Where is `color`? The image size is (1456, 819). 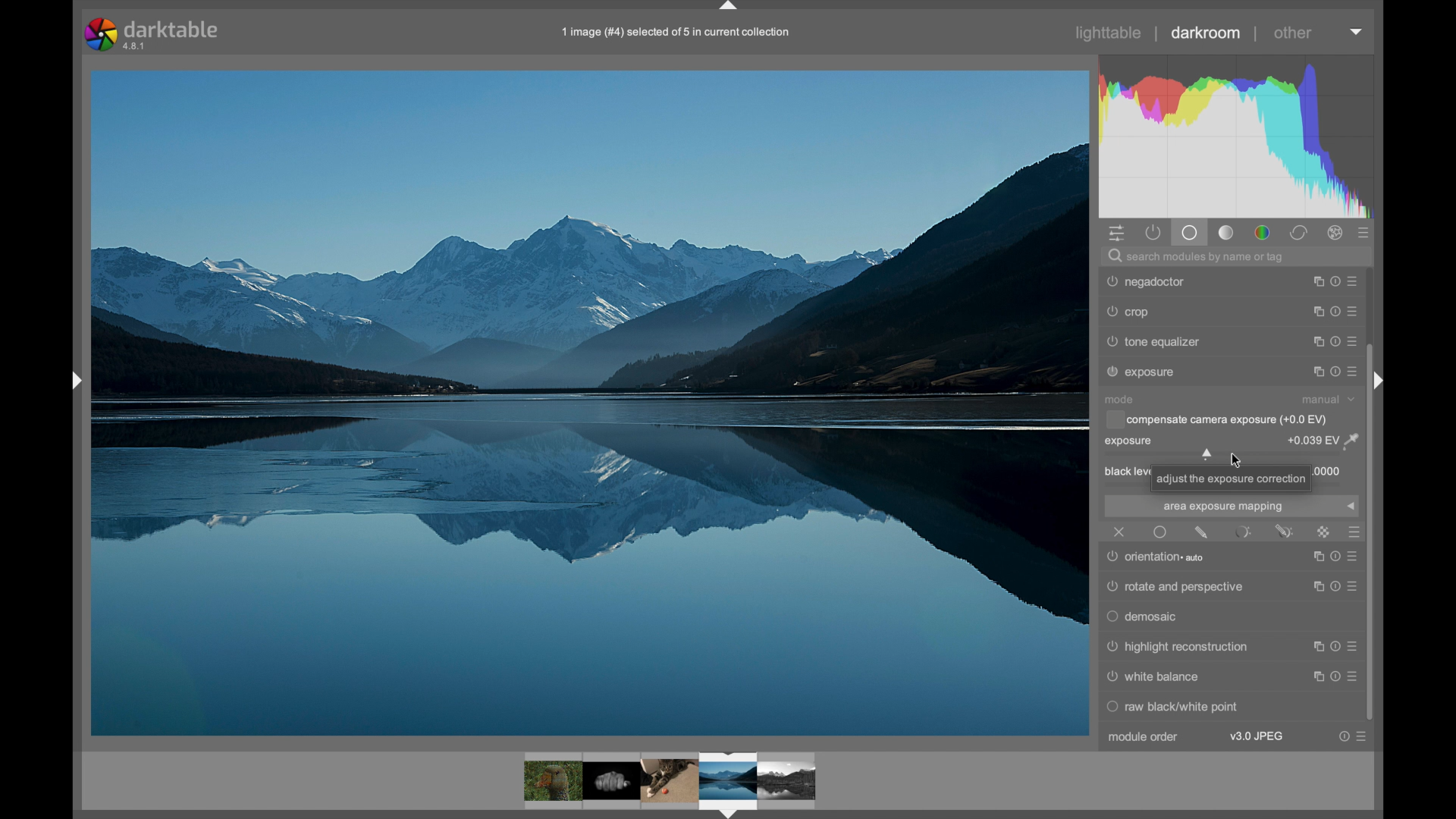 color is located at coordinates (1262, 233).